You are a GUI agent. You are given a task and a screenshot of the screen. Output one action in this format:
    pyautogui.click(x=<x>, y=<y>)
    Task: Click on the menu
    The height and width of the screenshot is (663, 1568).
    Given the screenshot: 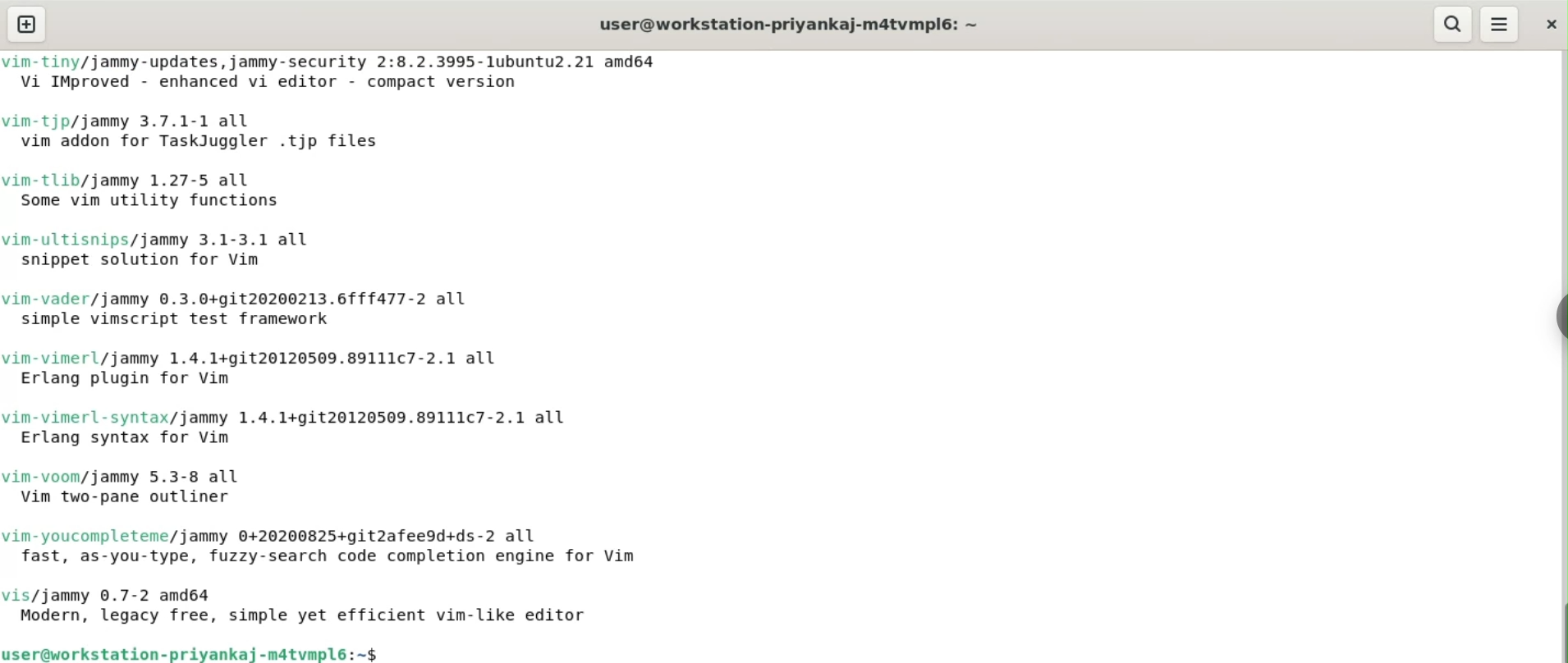 What is the action you would take?
    pyautogui.click(x=1501, y=24)
    